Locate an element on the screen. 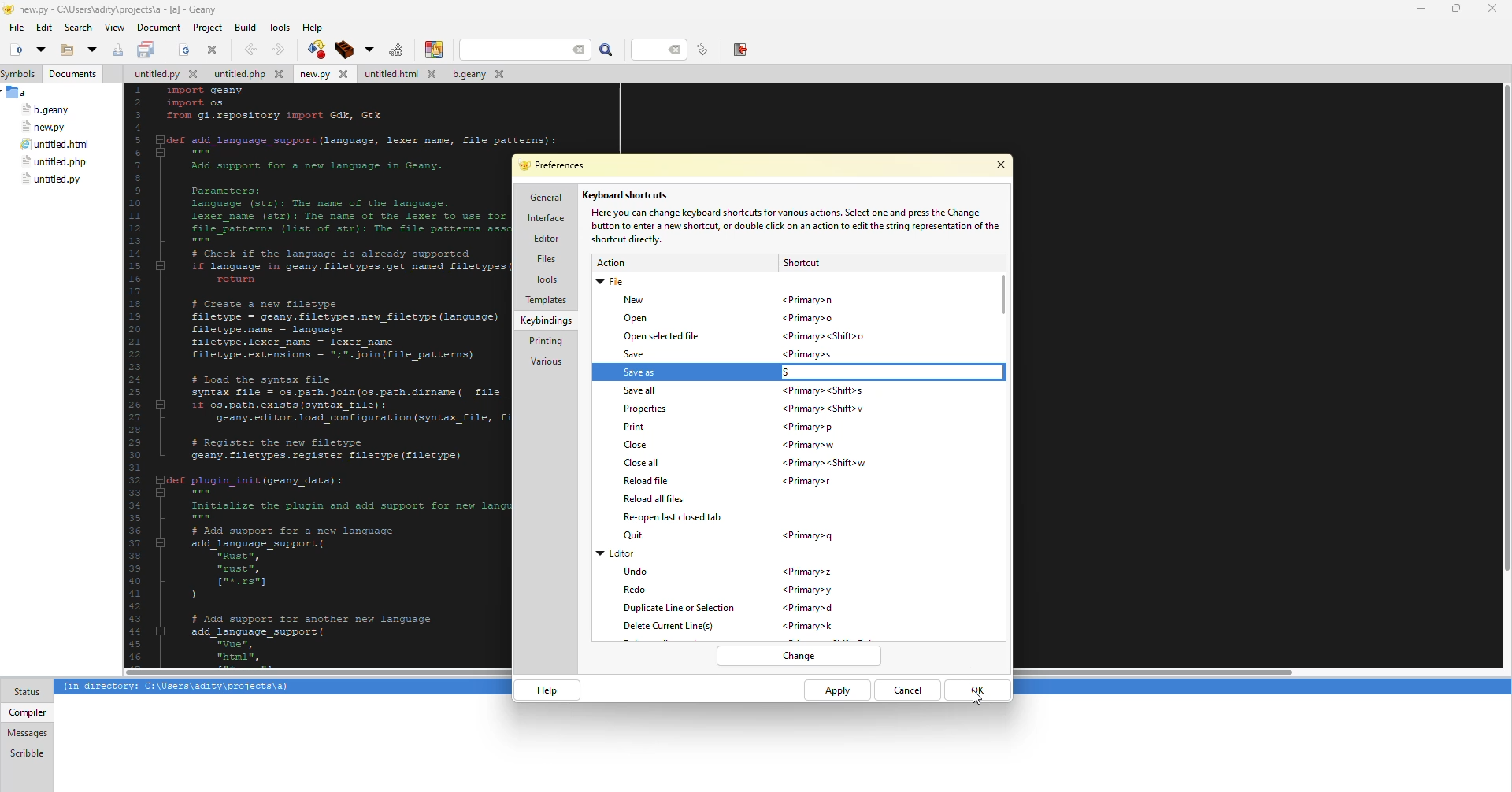  shortcut is located at coordinates (810, 626).